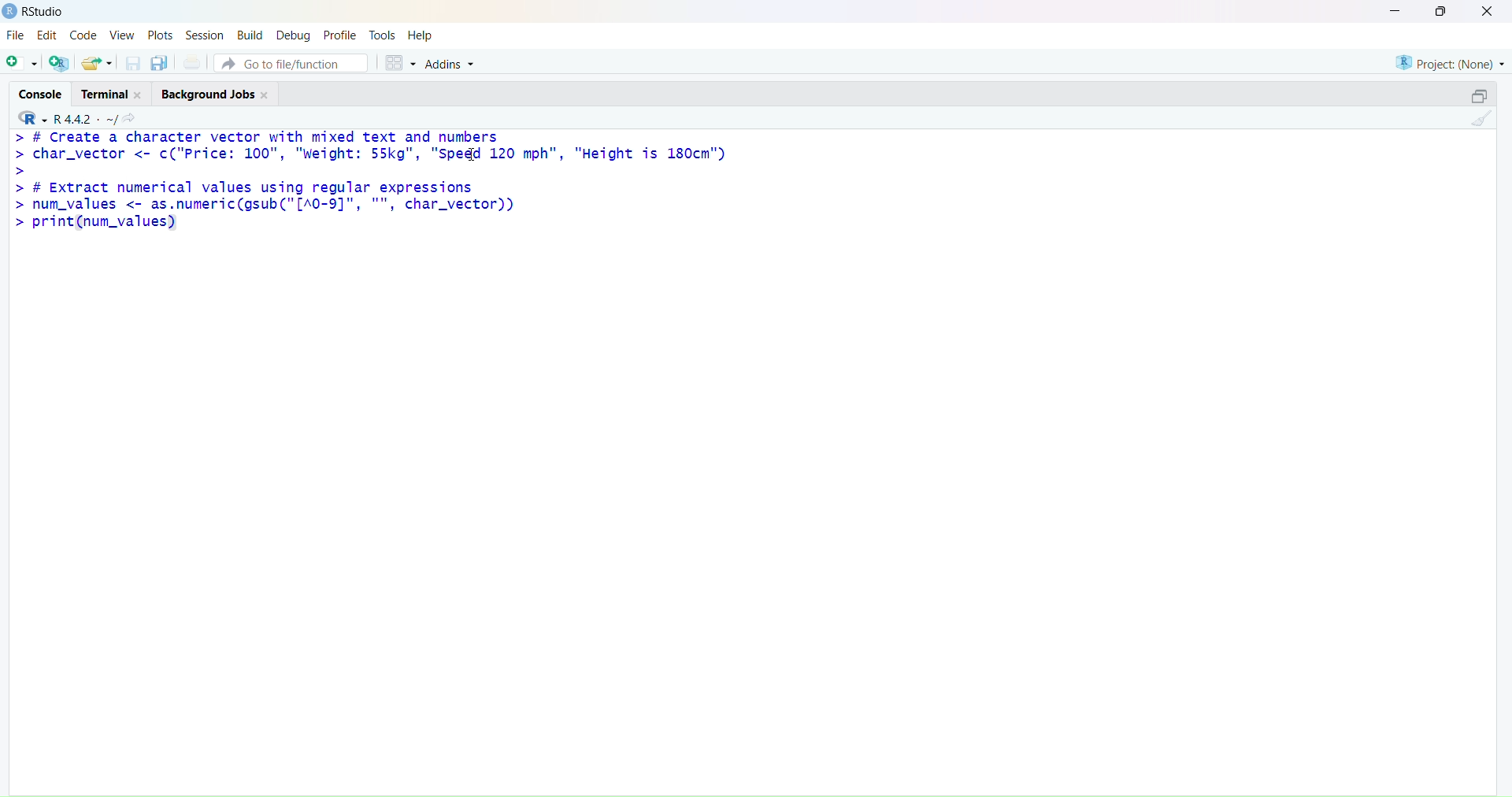 This screenshot has height=797, width=1512. Describe the element at coordinates (193, 61) in the screenshot. I see `print` at that location.